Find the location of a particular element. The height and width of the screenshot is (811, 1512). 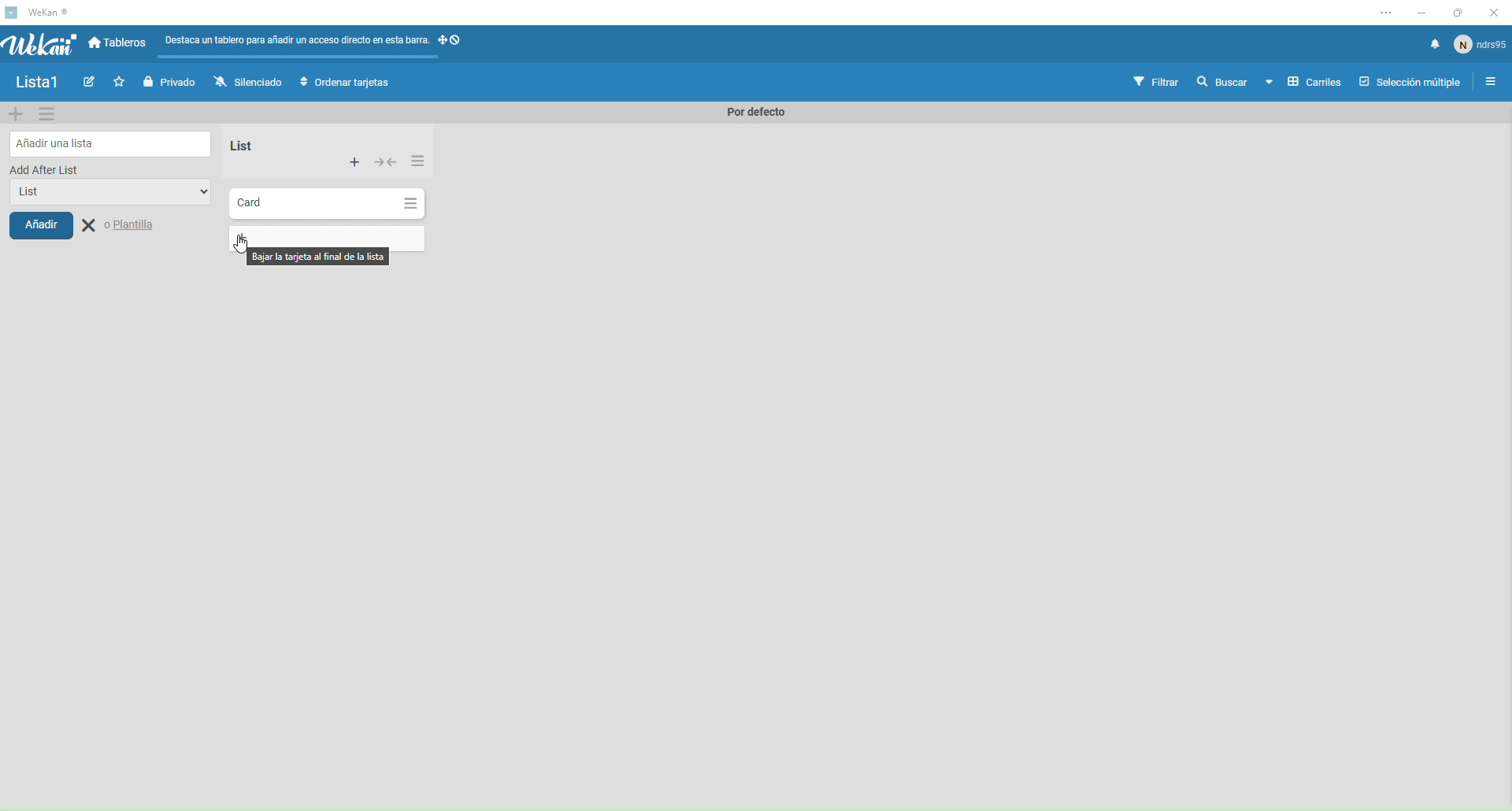

List1 is located at coordinates (43, 84).